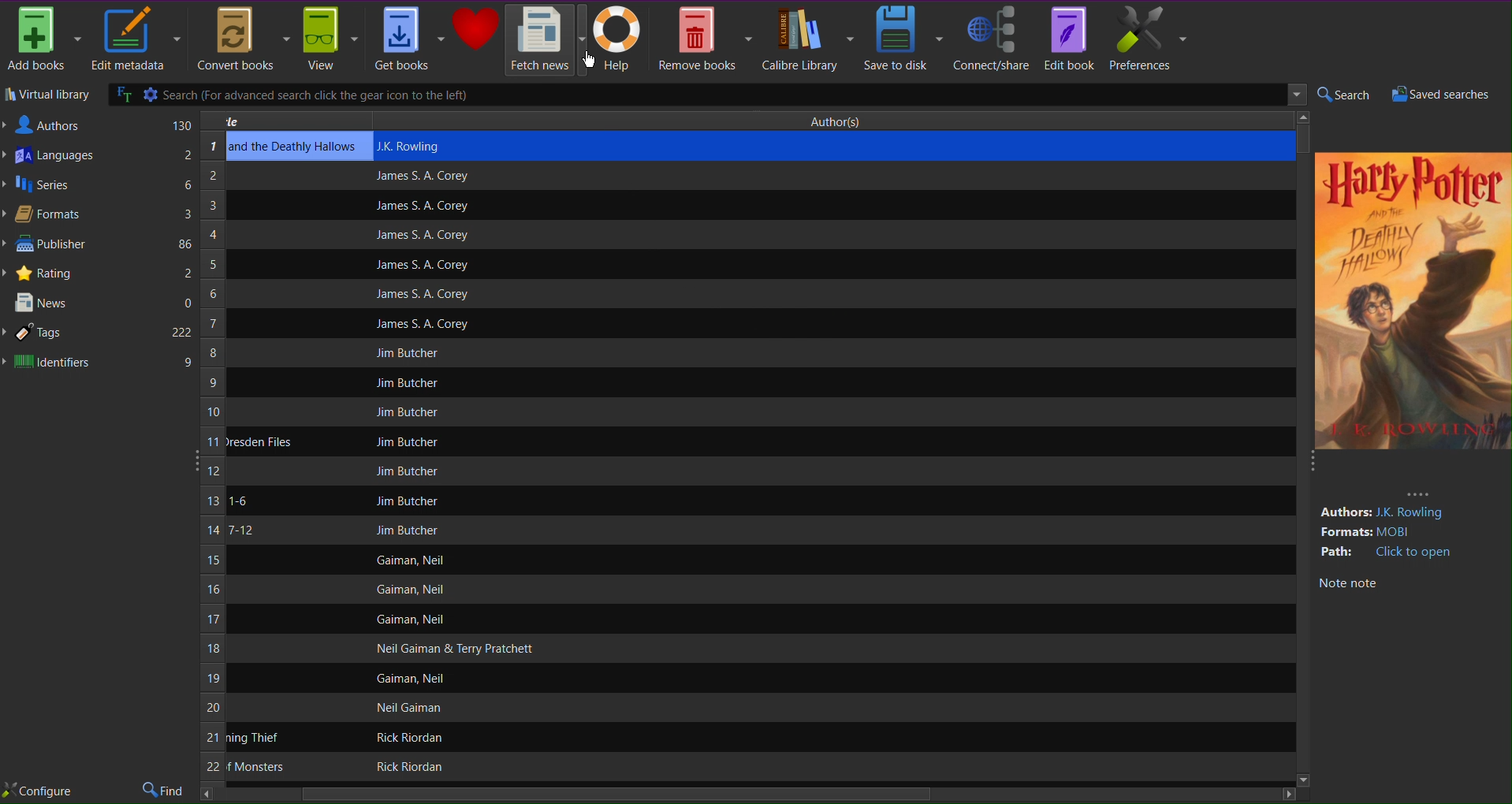  Describe the element at coordinates (240, 530) in the screenshot. I see `7-12` at that location.